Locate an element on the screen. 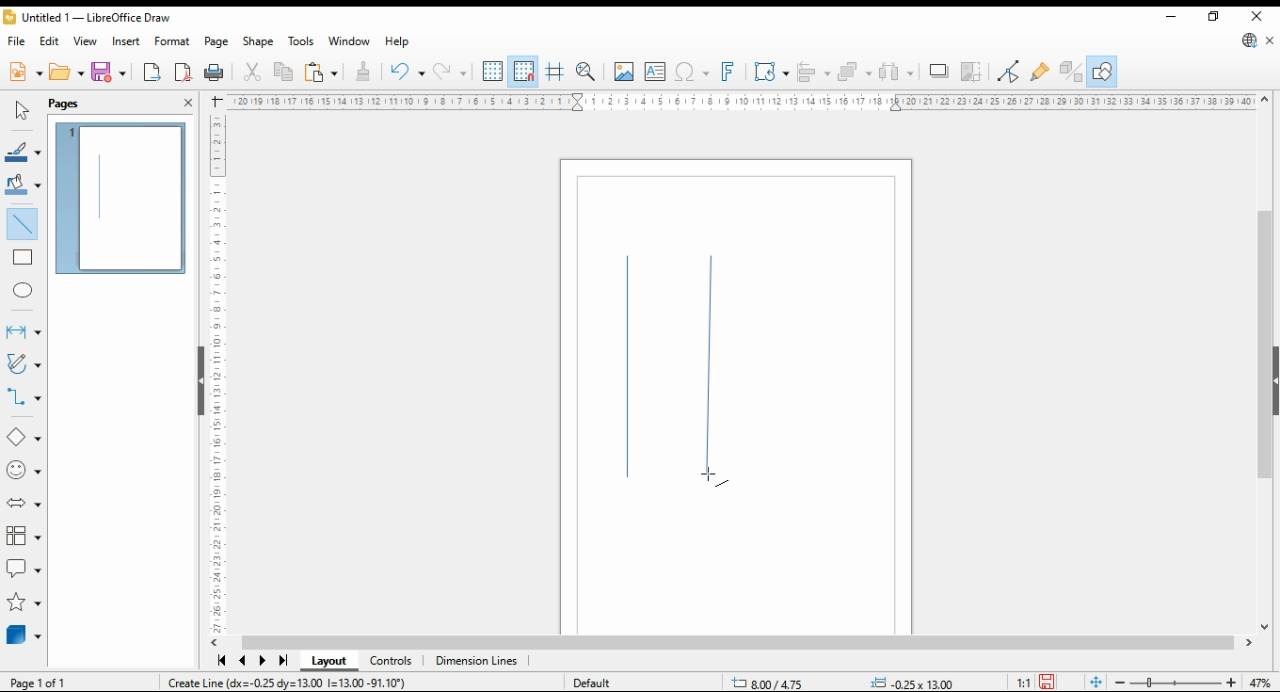 This screenshot has width=1280, height=692. help is located at coordinates (398, 42).